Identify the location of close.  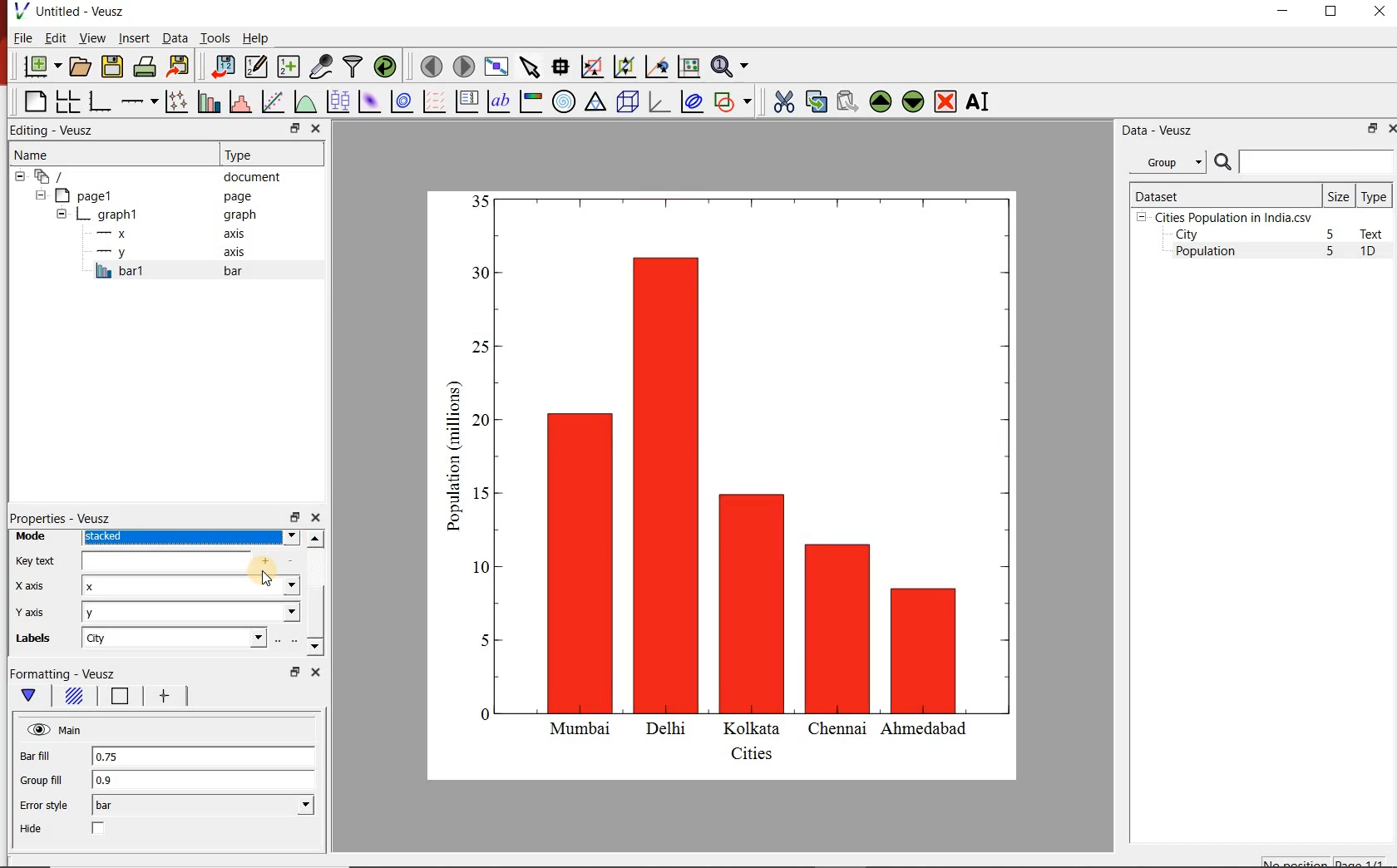
(315, 518).